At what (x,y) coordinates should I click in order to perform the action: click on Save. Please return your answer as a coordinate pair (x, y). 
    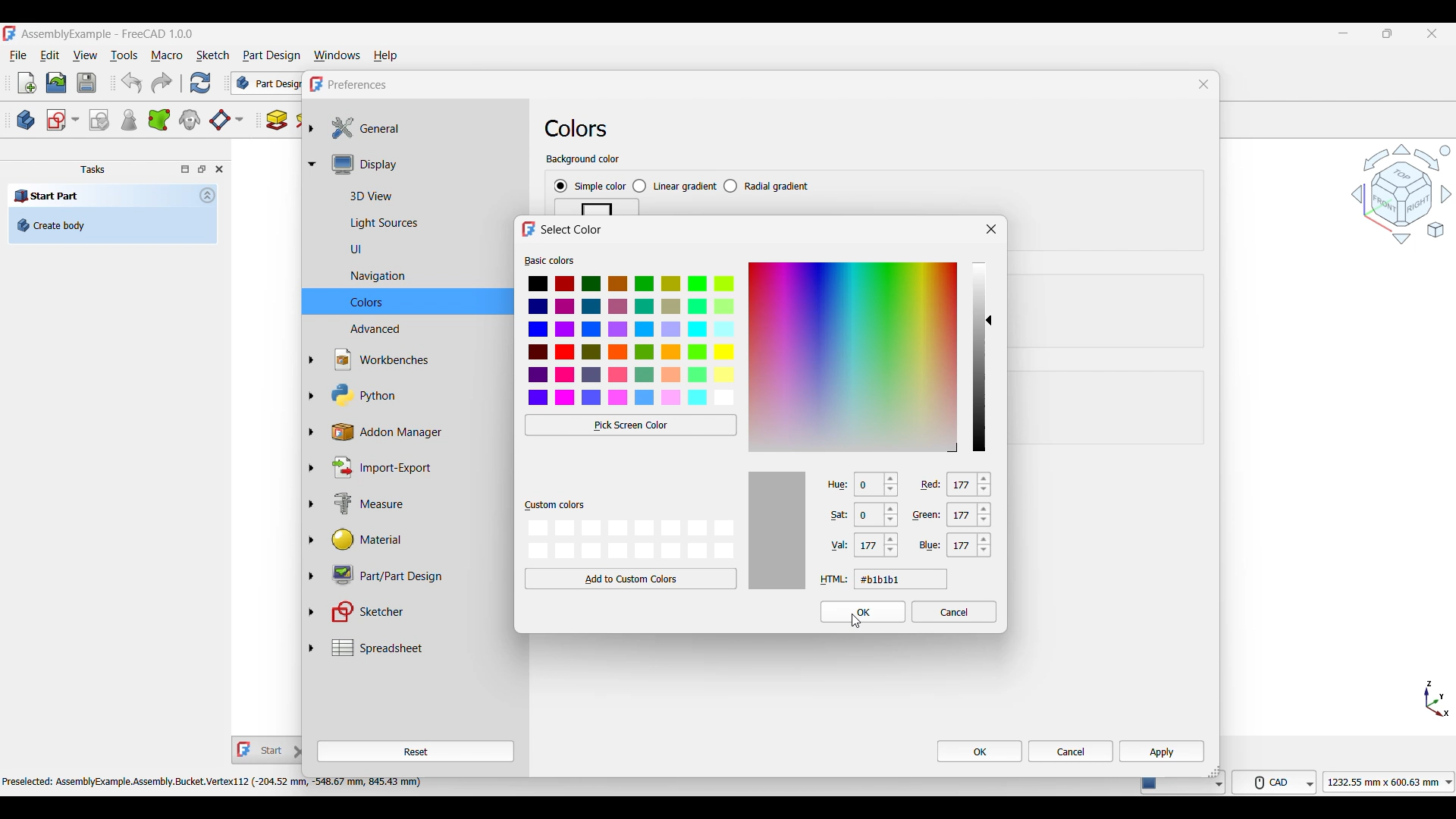
    Looking at the image, I should click on (86, 83).